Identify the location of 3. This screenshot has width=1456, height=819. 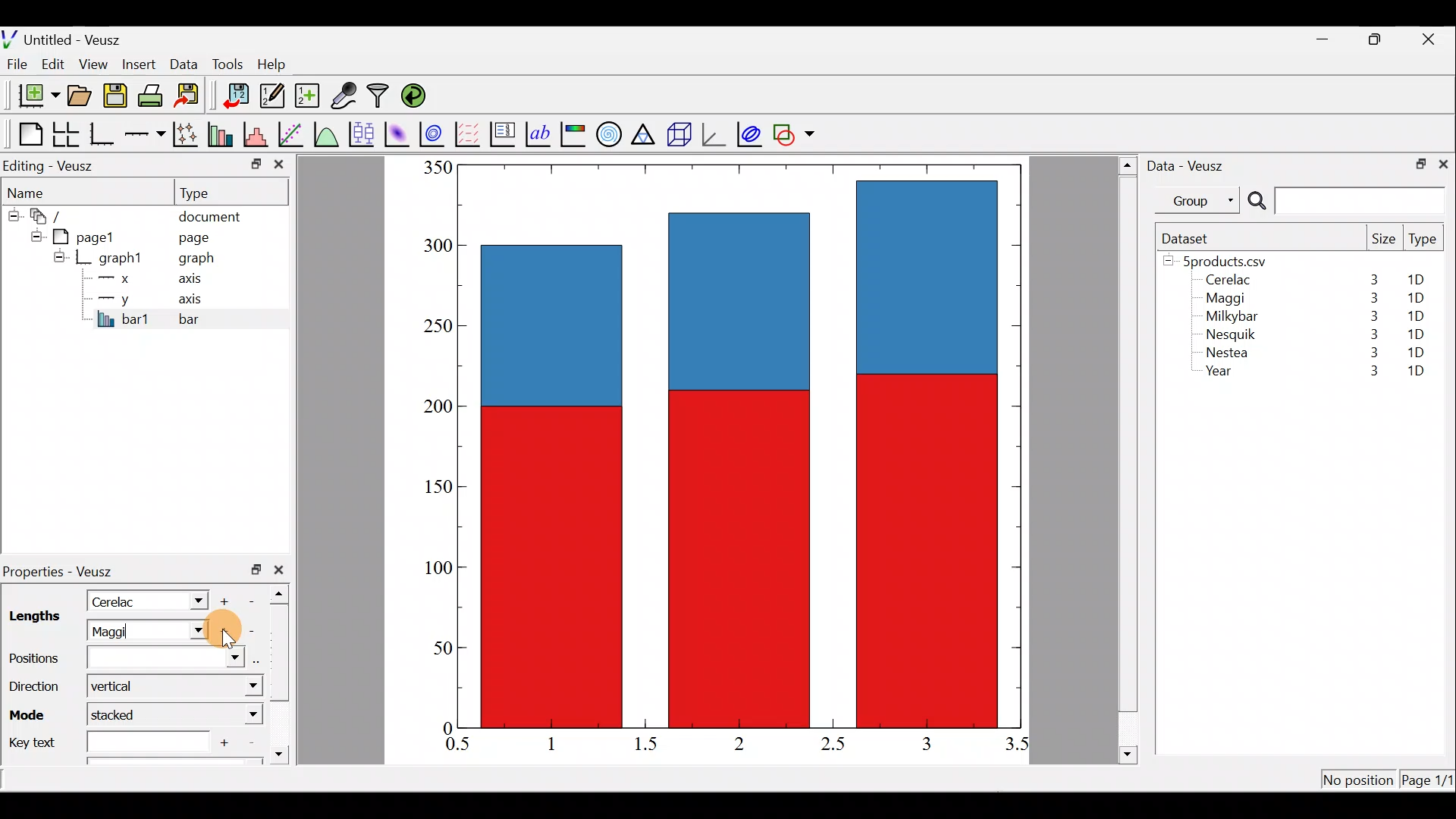
(1370, 298).